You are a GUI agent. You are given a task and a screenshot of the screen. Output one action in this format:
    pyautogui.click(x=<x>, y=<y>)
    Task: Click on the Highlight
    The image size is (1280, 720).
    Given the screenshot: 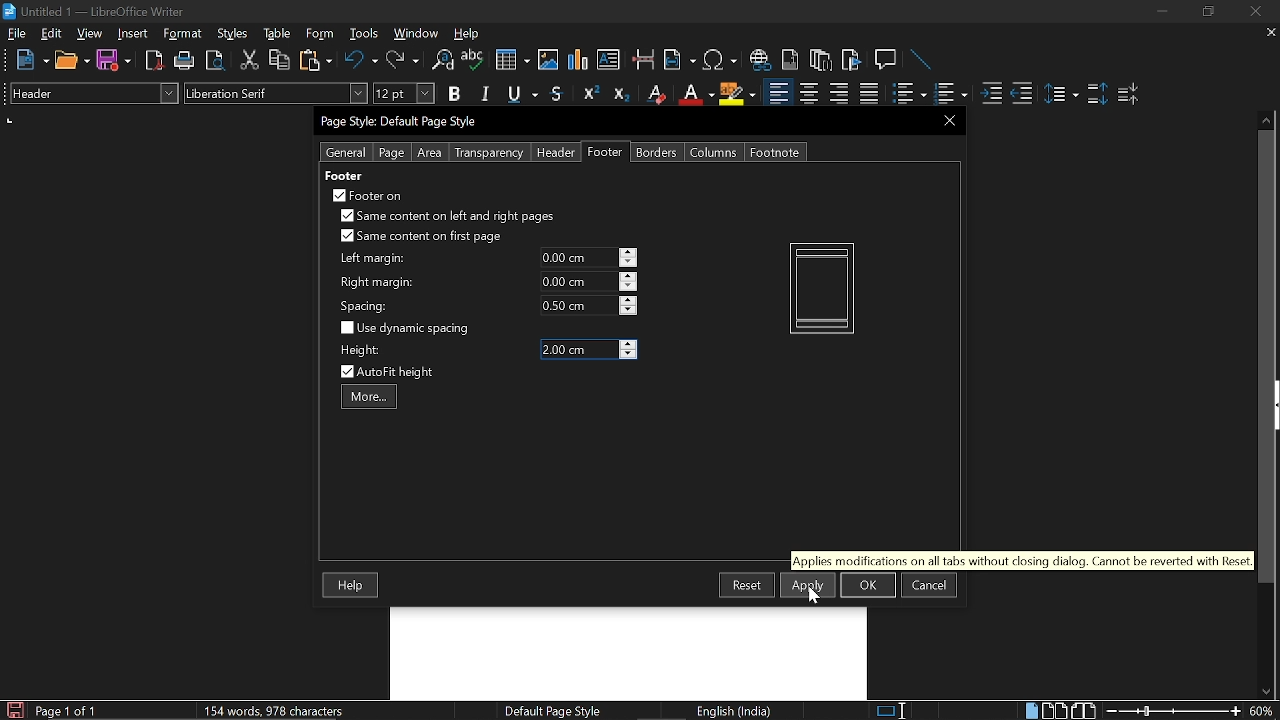 What is the action you would take?
    pyautogui.click(x=738, y=93)
    